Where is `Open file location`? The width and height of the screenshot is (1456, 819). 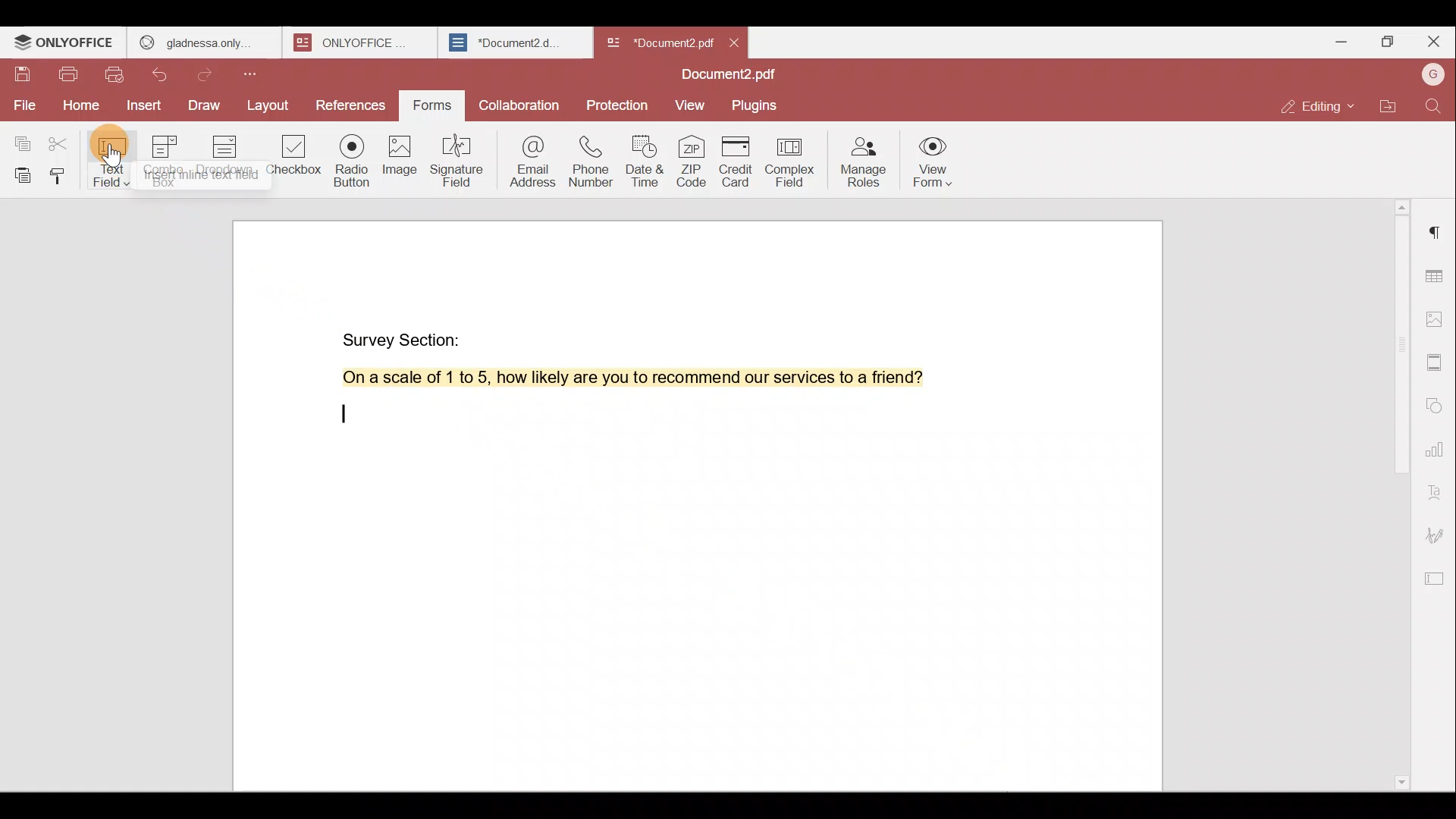 Open file location is located at coordinates (1389, 108).